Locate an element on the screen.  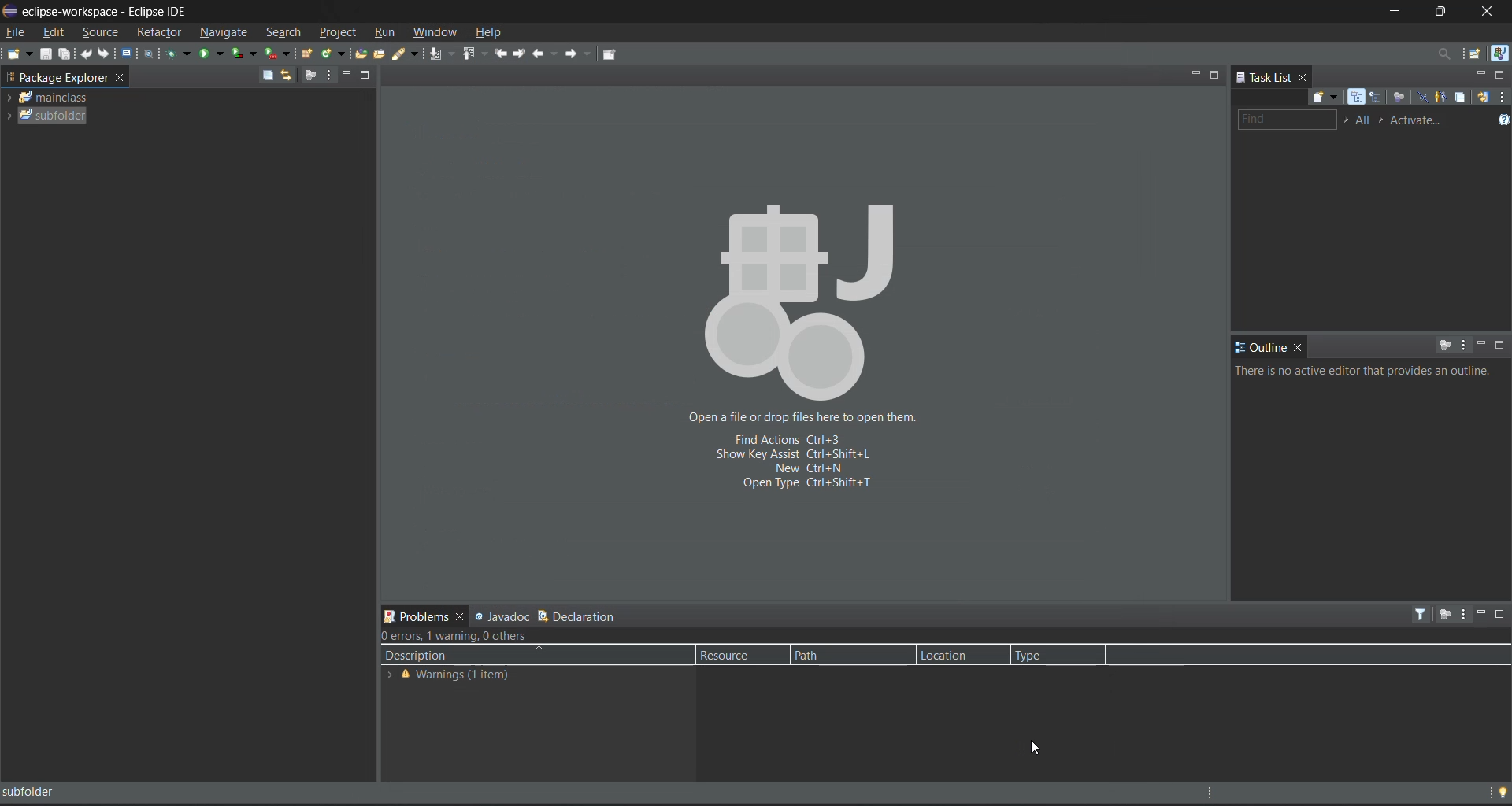
skip all breakpoints is located at coordinates (150, 55).